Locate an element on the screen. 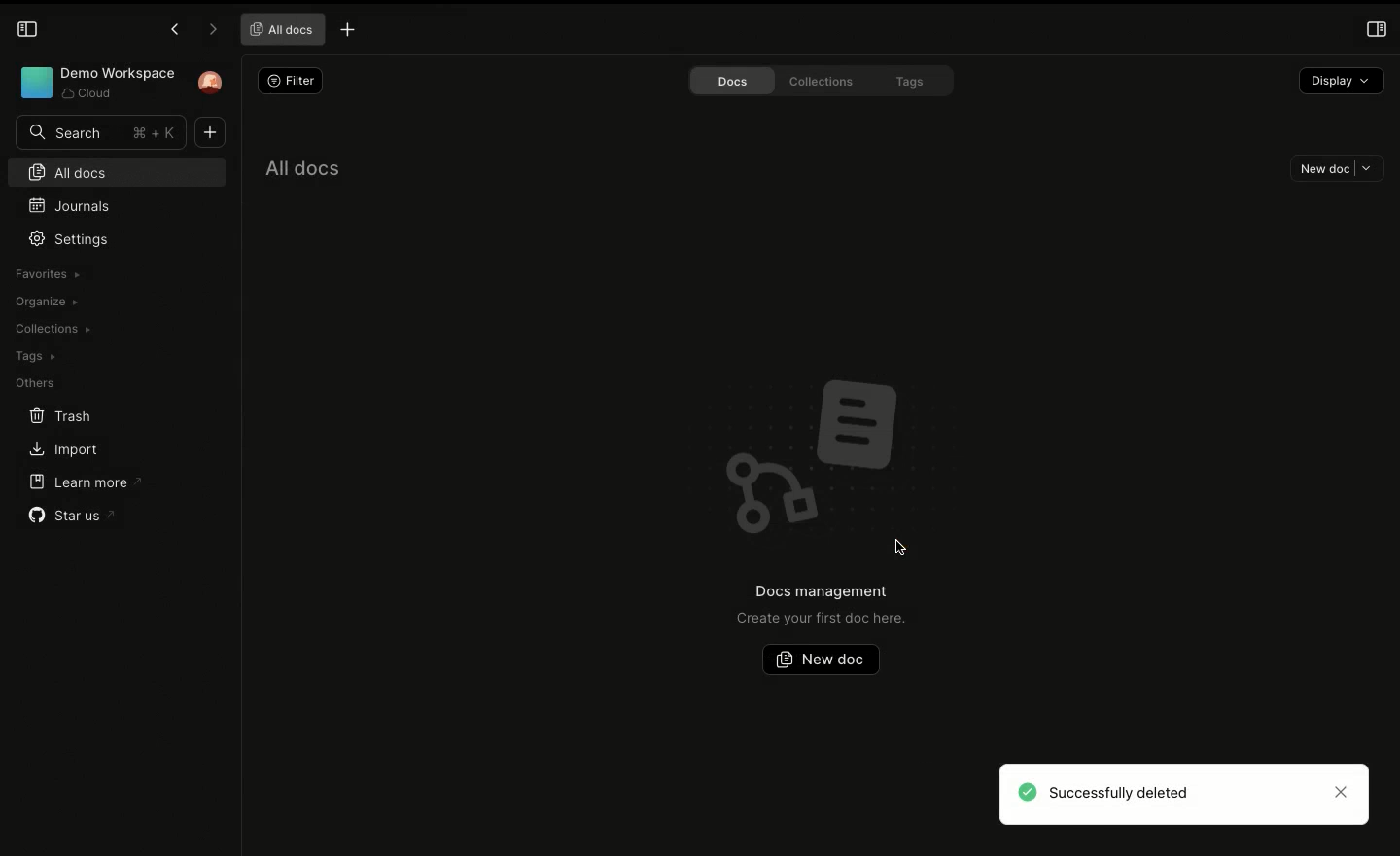  Create your first doc here is located at coordinates (822, 618).